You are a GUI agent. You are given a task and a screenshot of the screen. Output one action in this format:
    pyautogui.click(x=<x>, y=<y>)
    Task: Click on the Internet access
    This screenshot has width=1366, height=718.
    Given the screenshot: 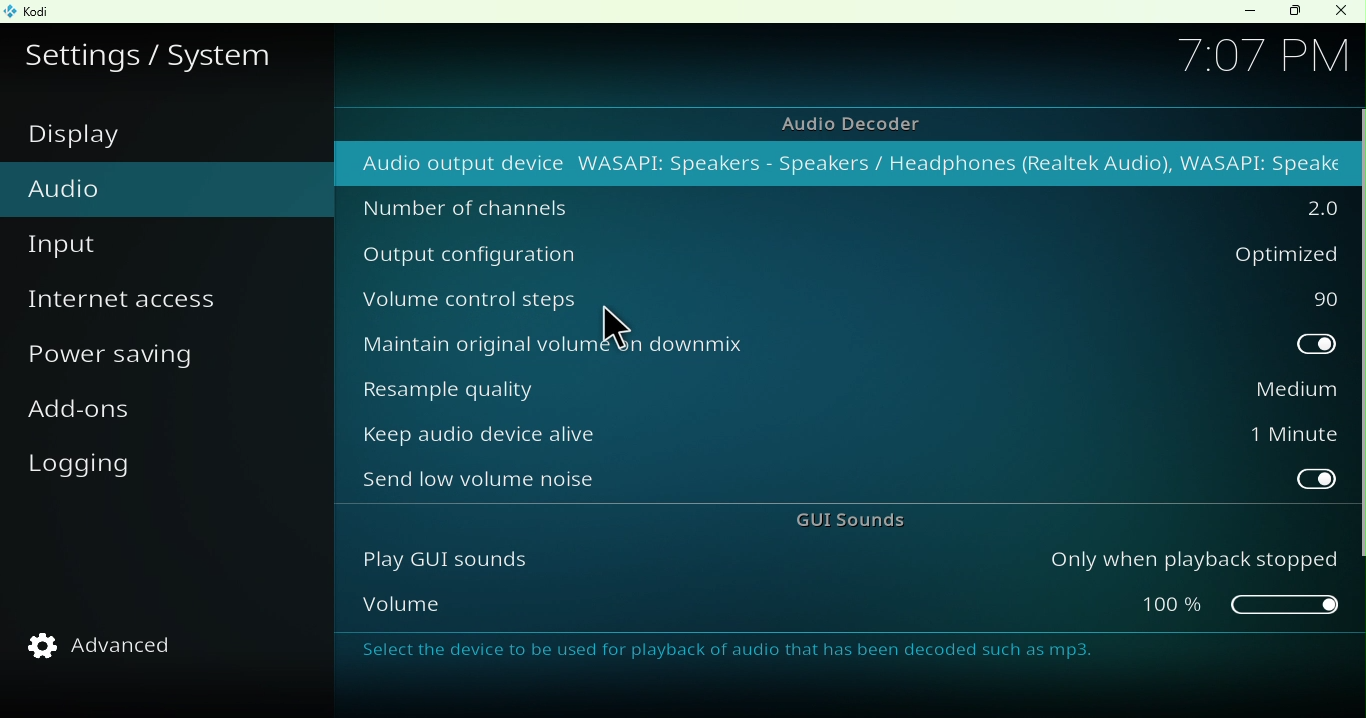 What is the action you would take?
    pyautogui.click(x=118, y=302)
    